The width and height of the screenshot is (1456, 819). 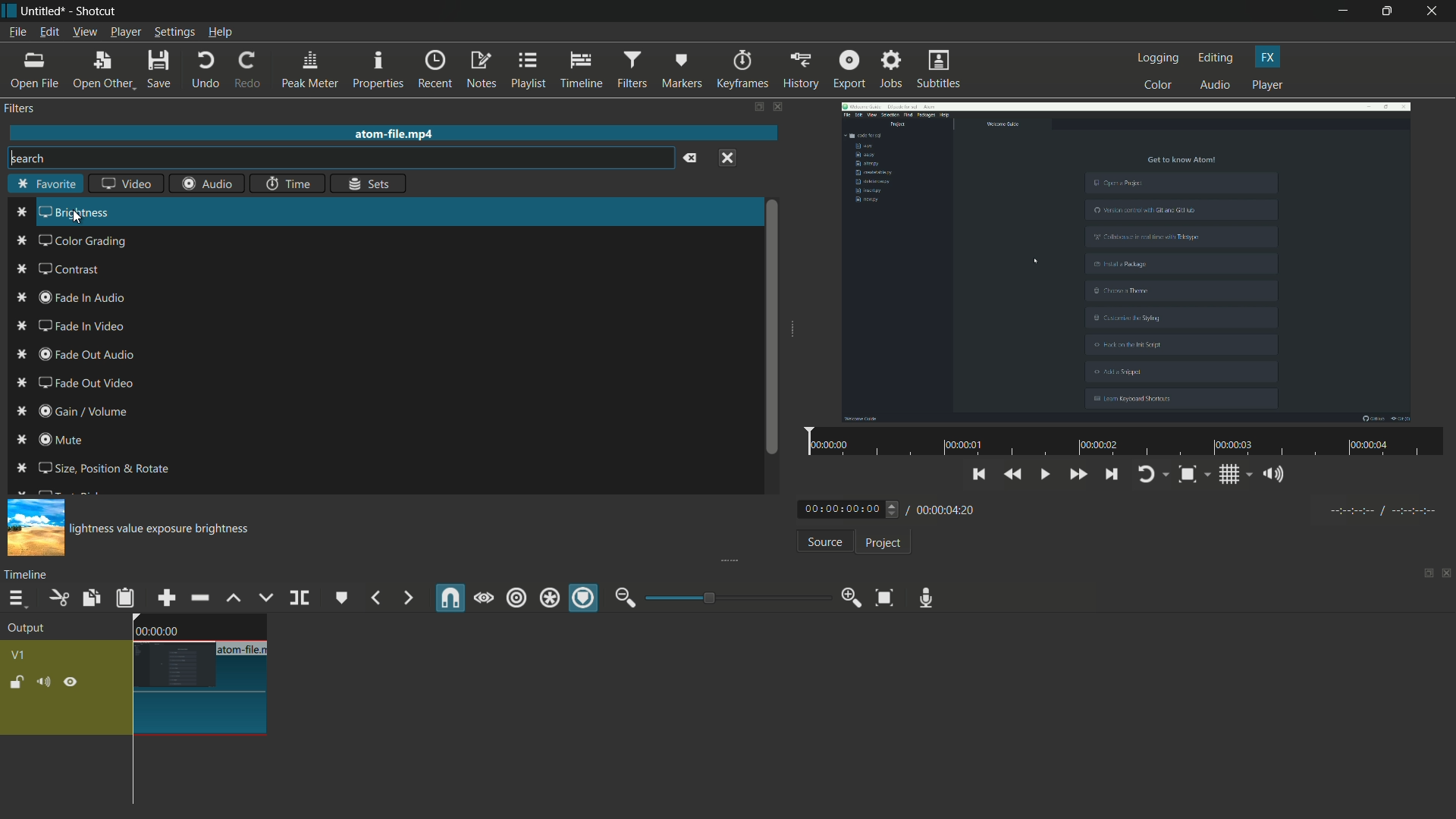 What do you see at coordinates (848, 69) in the screenshot?
I see `export` at bounding box center [848, 69].